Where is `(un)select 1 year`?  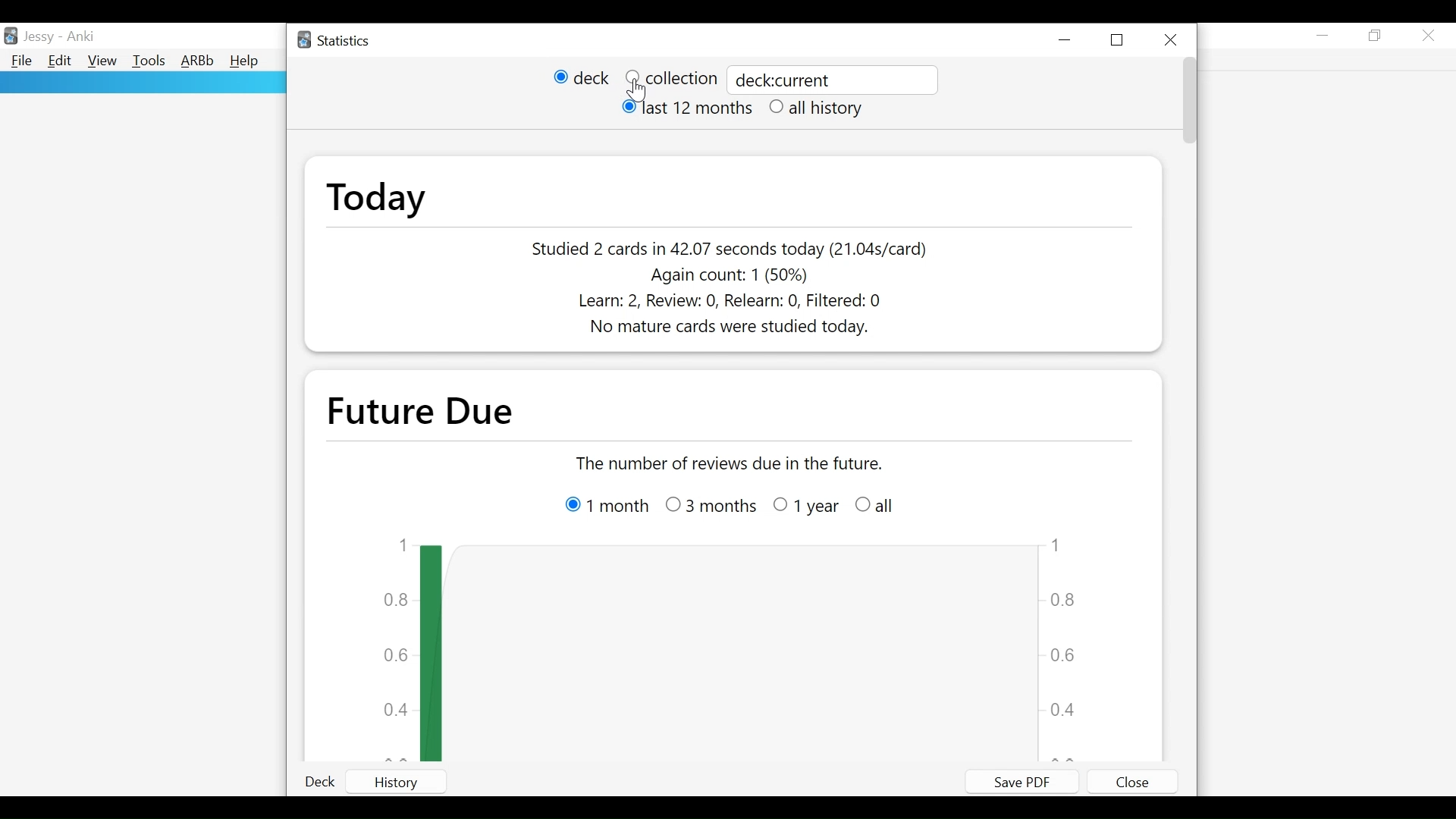 (un)select 1 year is located at coordinates (807, 507).